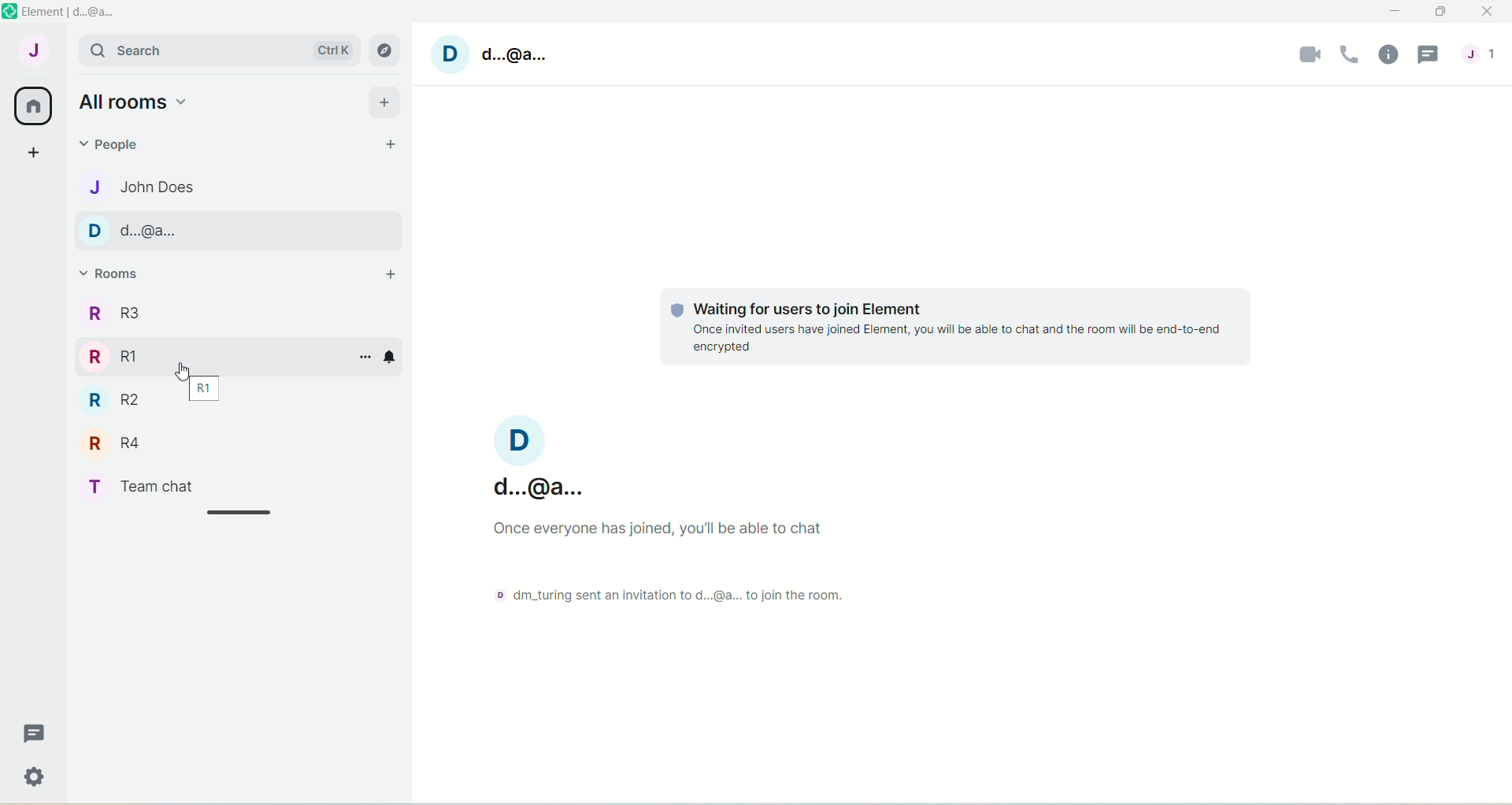 This screenshot has width=1512, height=805. I want to click on R RI, so click(113, 357).